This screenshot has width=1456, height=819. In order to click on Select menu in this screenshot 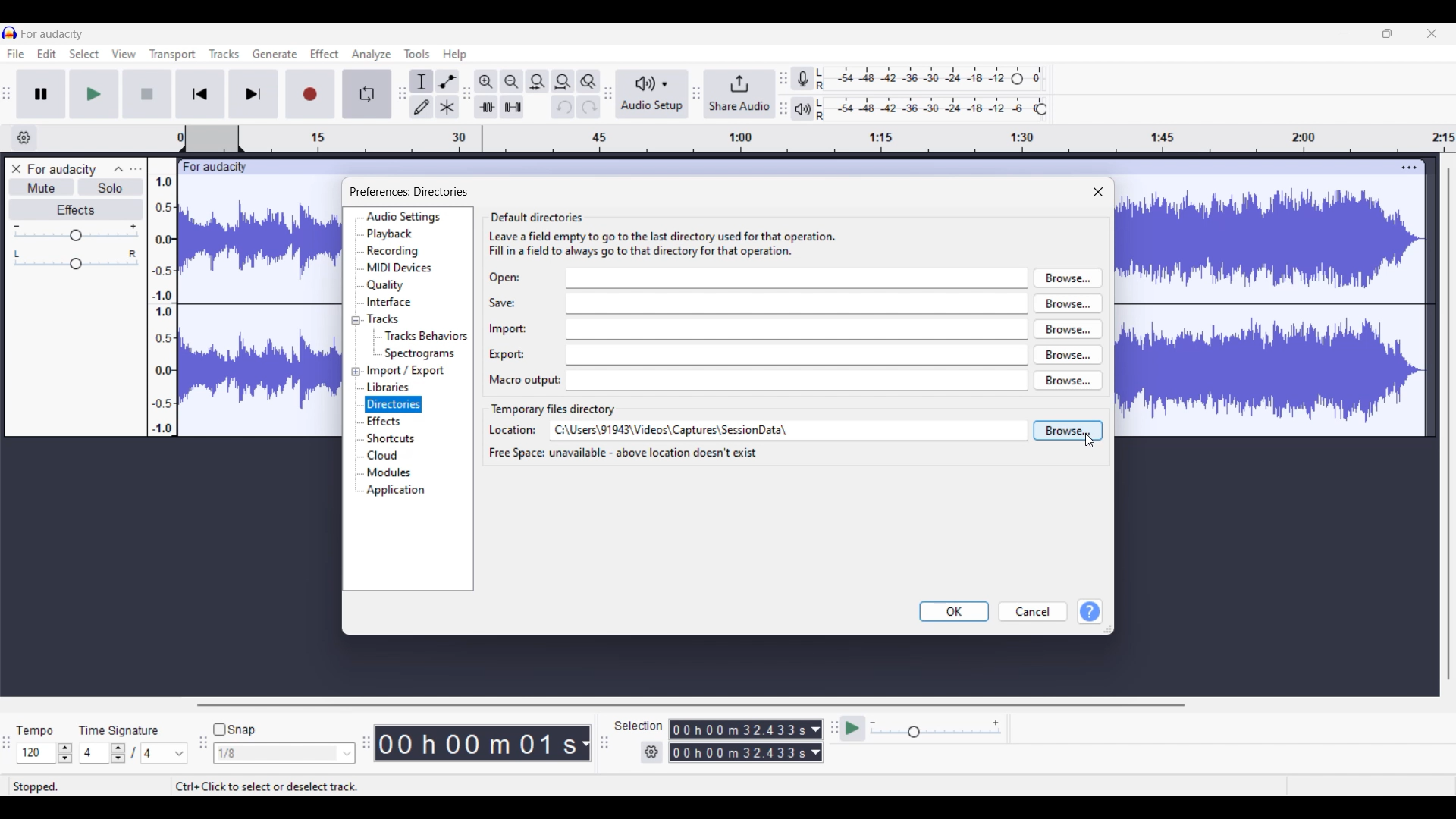, I will do `click(84, 54)`.